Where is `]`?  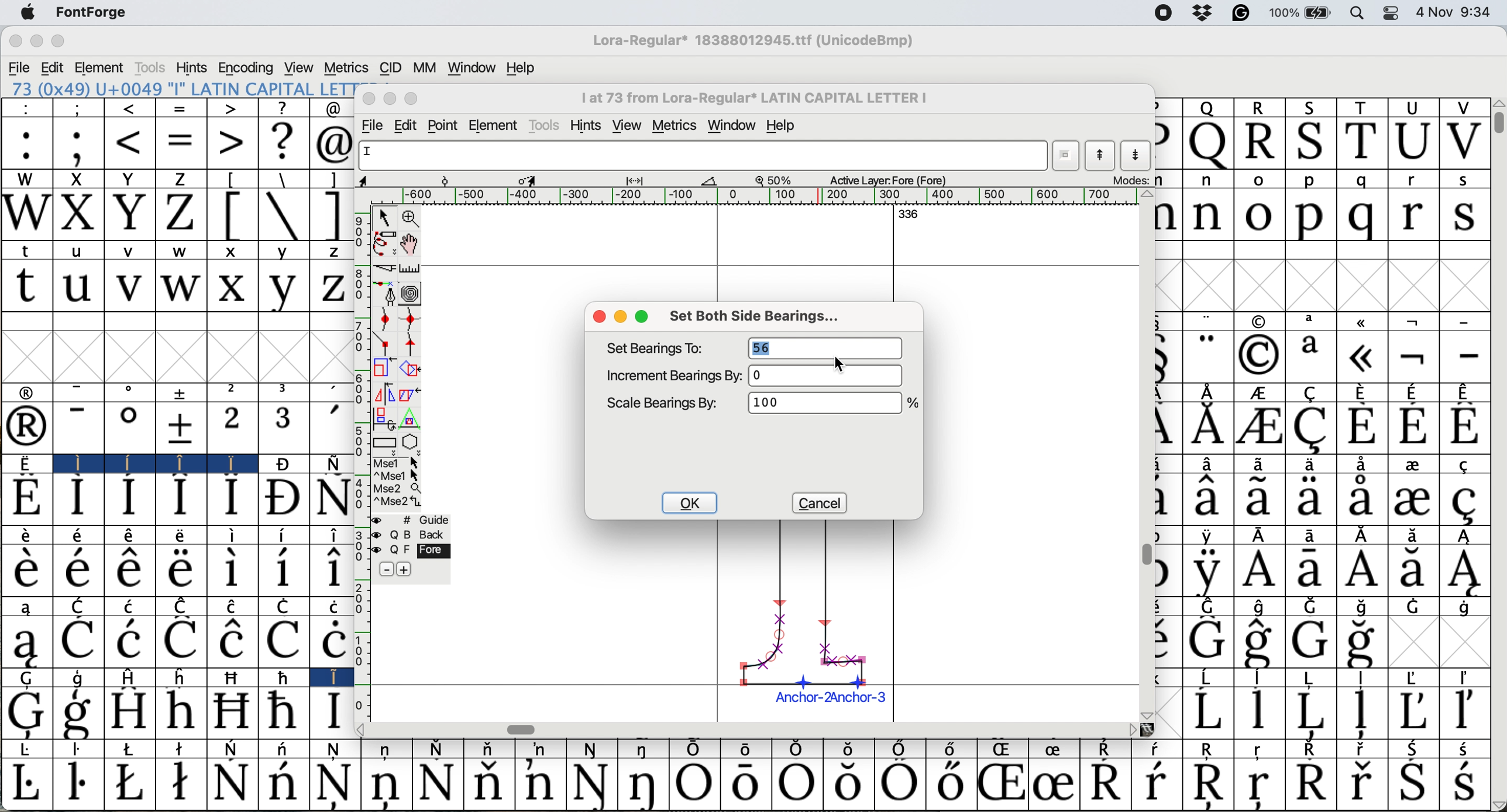 ] is located at coordinates (332, 215).